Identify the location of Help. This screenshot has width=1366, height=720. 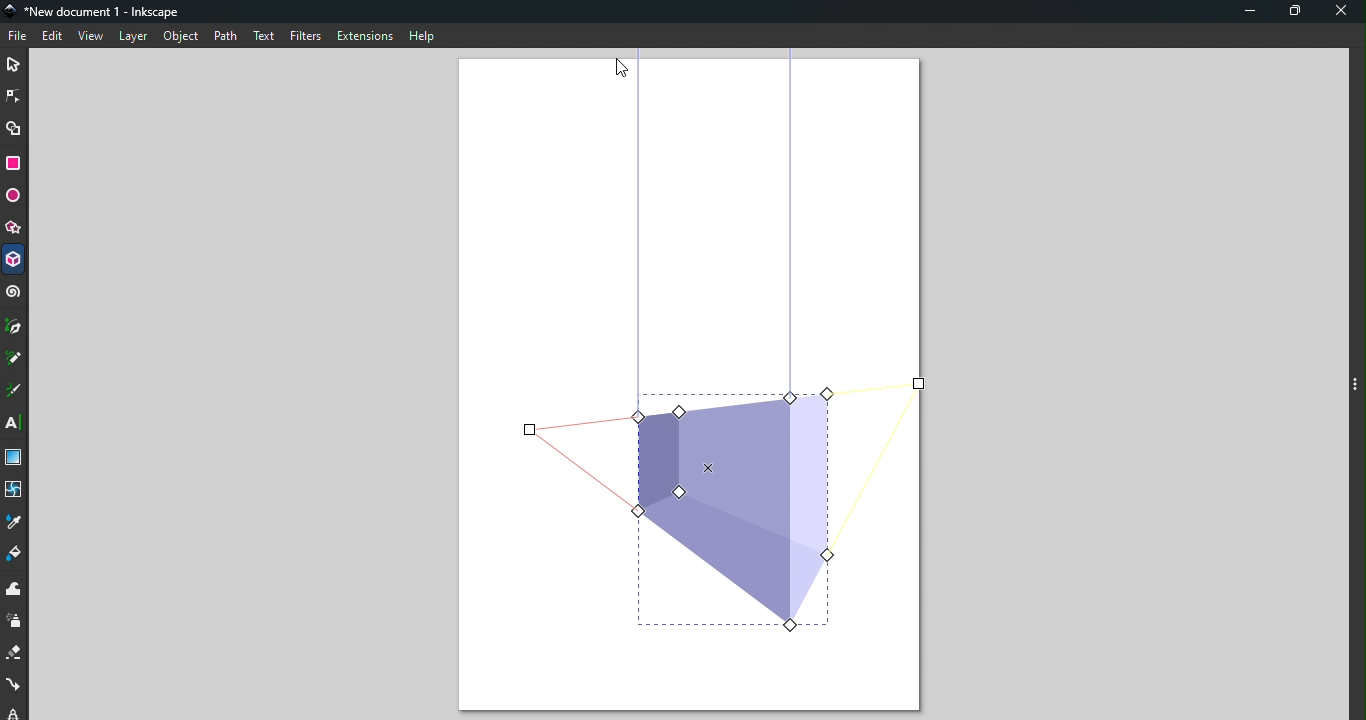
(423, 36).